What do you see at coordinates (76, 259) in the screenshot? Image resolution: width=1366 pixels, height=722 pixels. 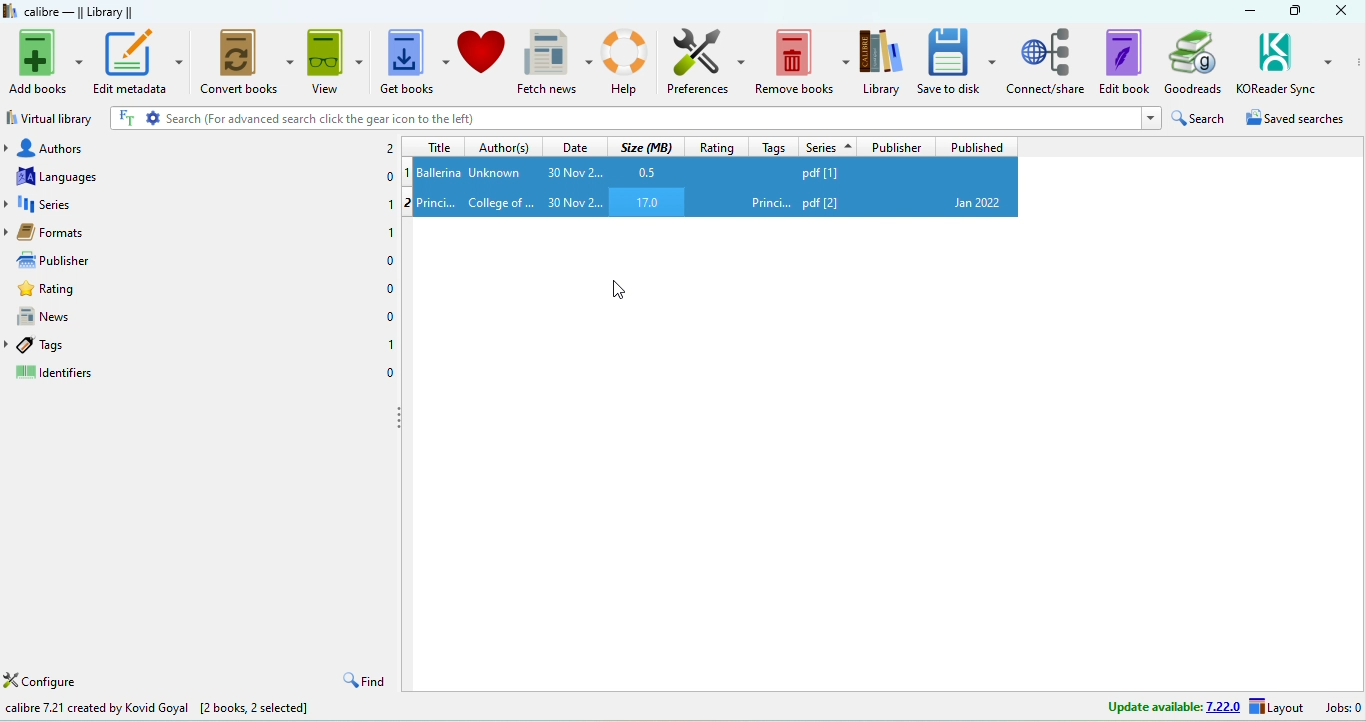 I see `publisher` at bounding box center [76, 259].